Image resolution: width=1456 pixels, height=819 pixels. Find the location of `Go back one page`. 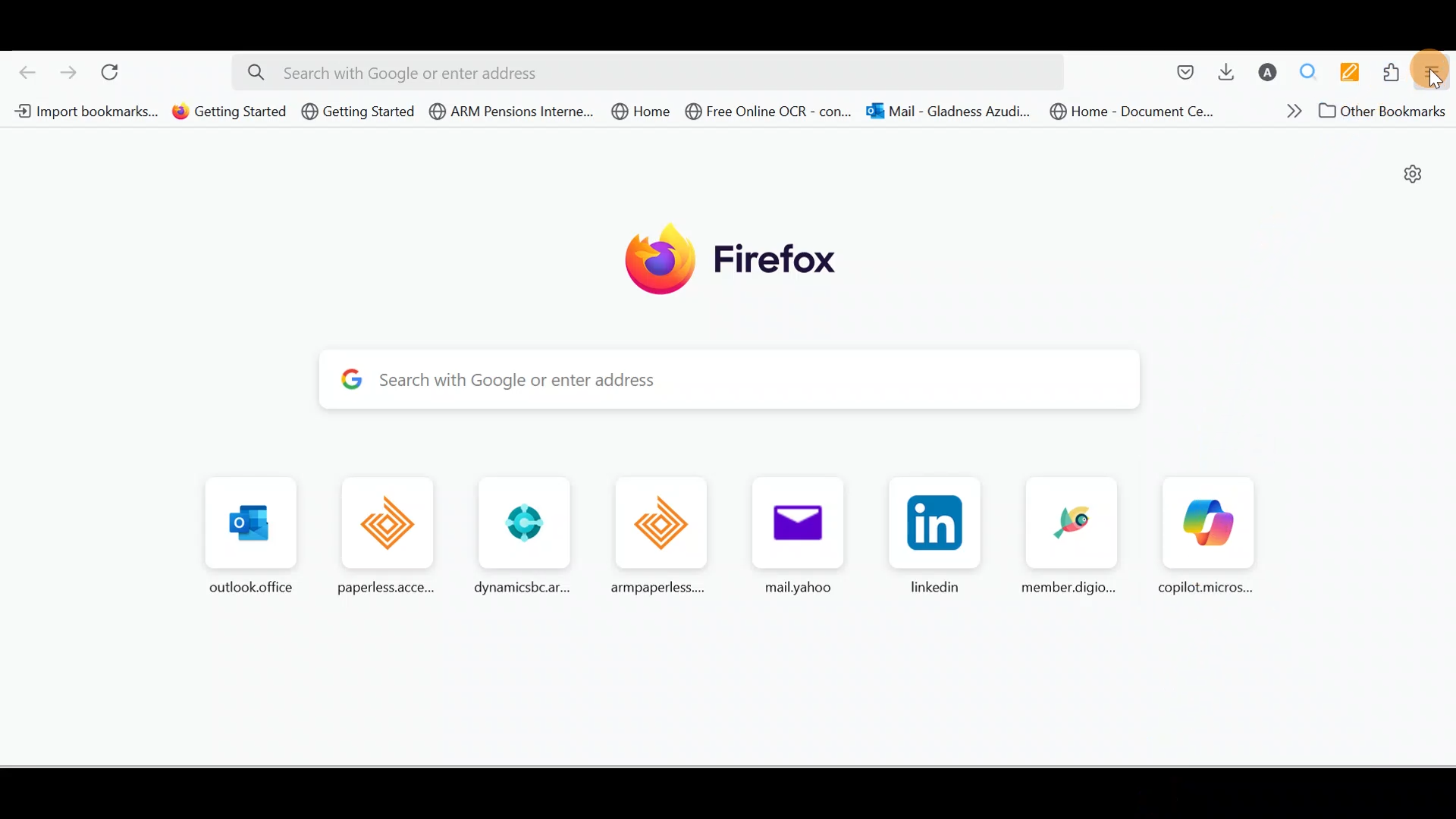

Go back one page is located at coordinates (27, 70).